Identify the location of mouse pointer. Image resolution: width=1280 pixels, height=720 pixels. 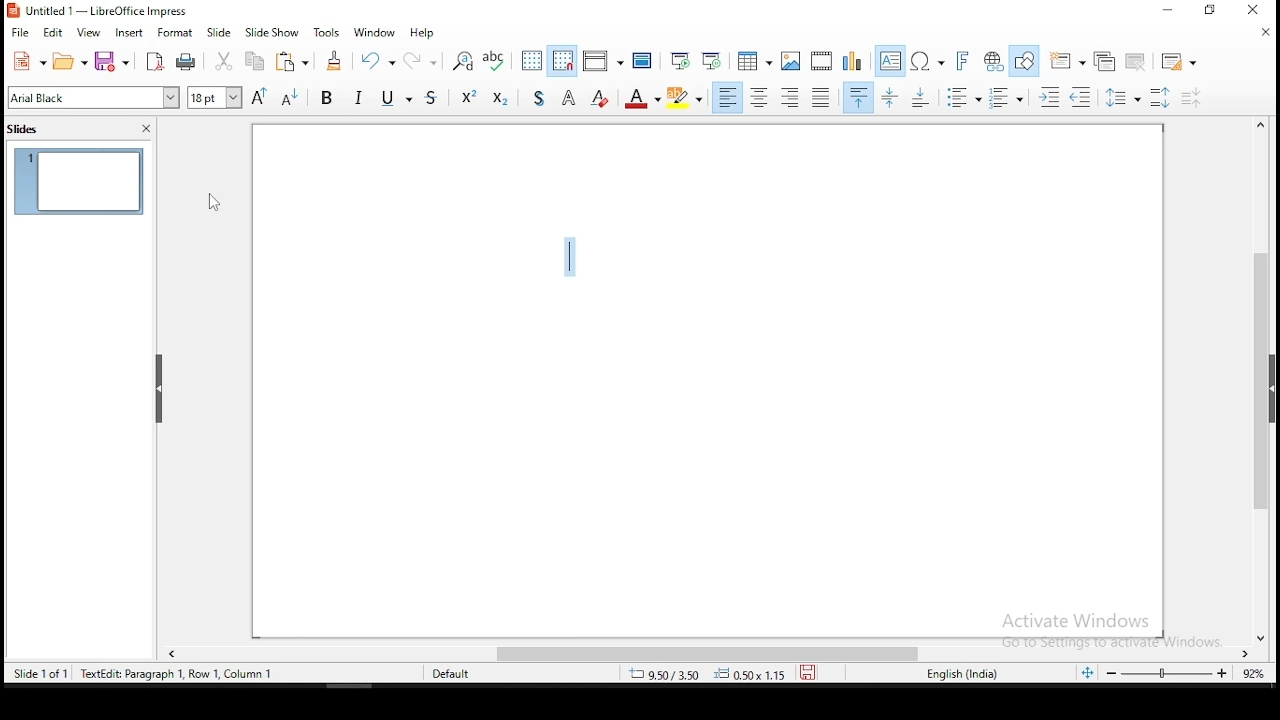
(215, 203).